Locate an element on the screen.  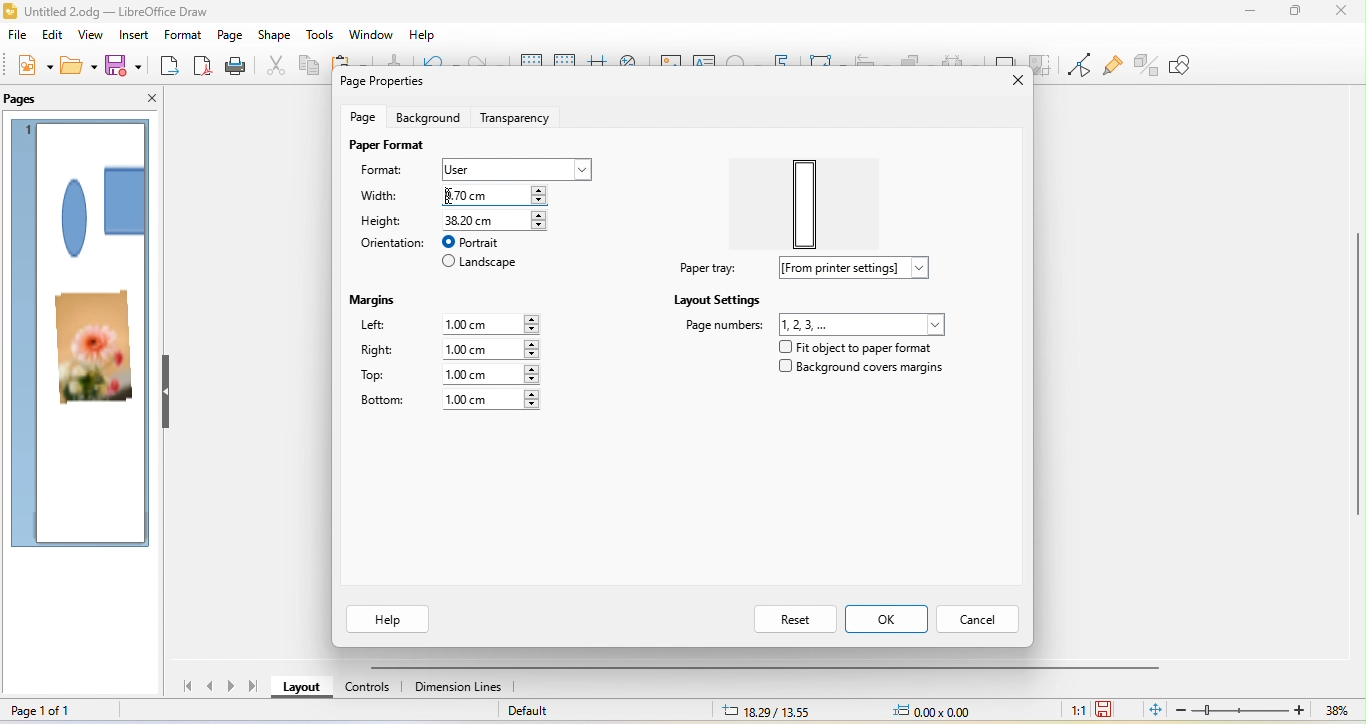
clone formatting is located at coordinates (400, 60).